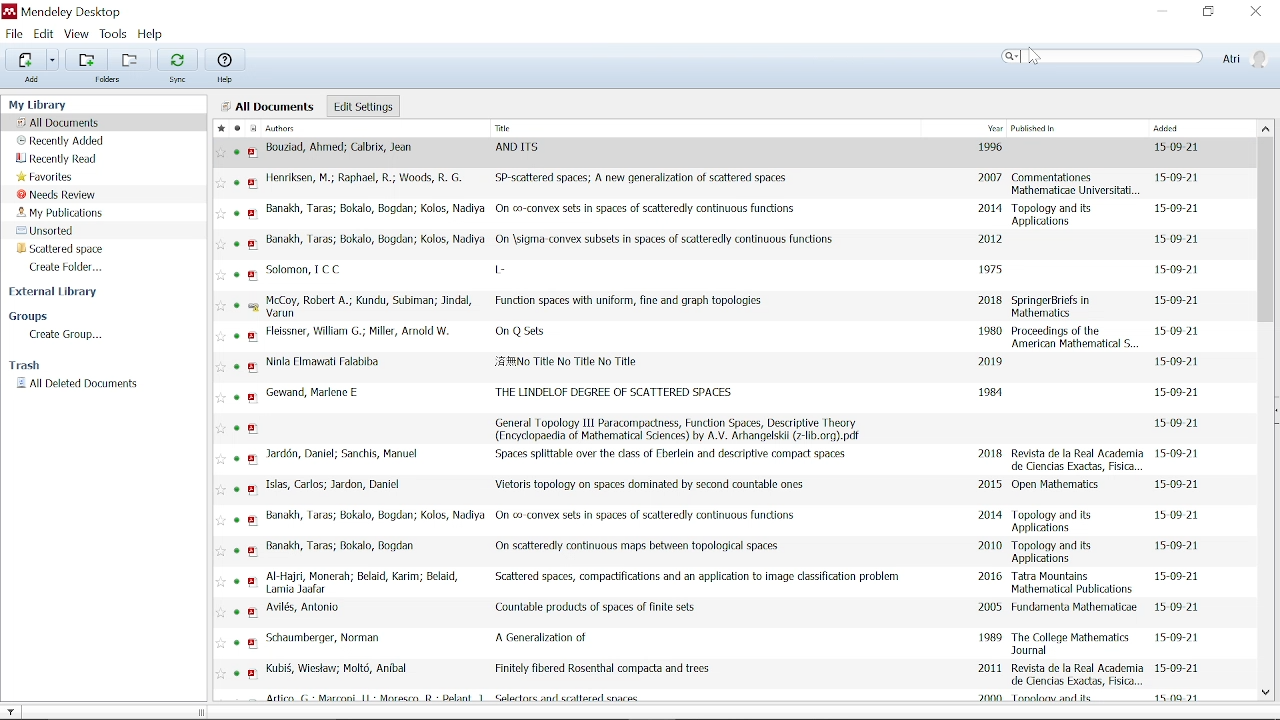  Describe the element at coordinates (1035, 57) in the screenshot. I see `Cursor` at that location.